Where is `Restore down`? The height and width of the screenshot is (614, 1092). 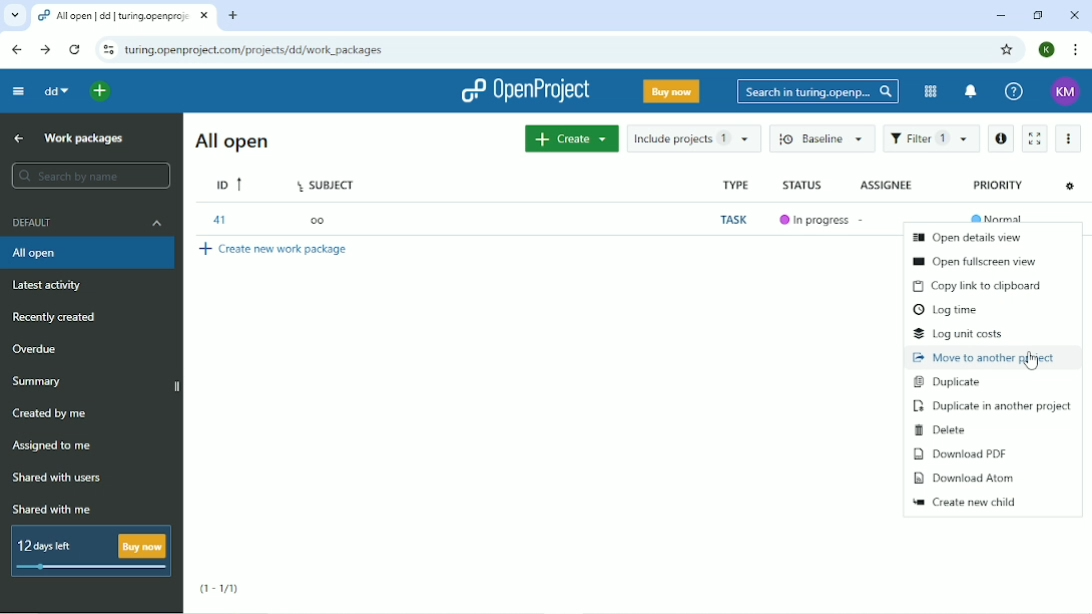 Restore down is located at coordinates (1036, 15).